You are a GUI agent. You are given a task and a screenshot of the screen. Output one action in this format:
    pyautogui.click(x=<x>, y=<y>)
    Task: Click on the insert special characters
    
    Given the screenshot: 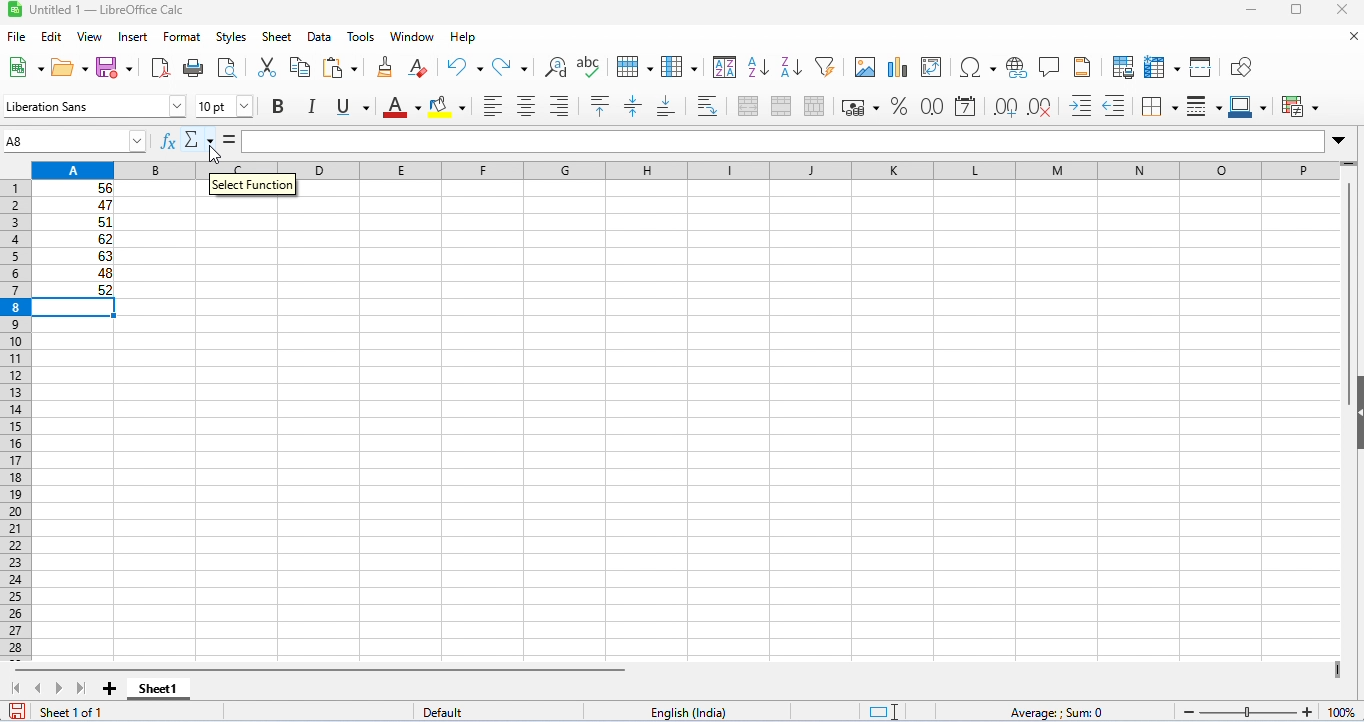 What is the action you would take?
    pyautogui.click(x=978, y=67)
    